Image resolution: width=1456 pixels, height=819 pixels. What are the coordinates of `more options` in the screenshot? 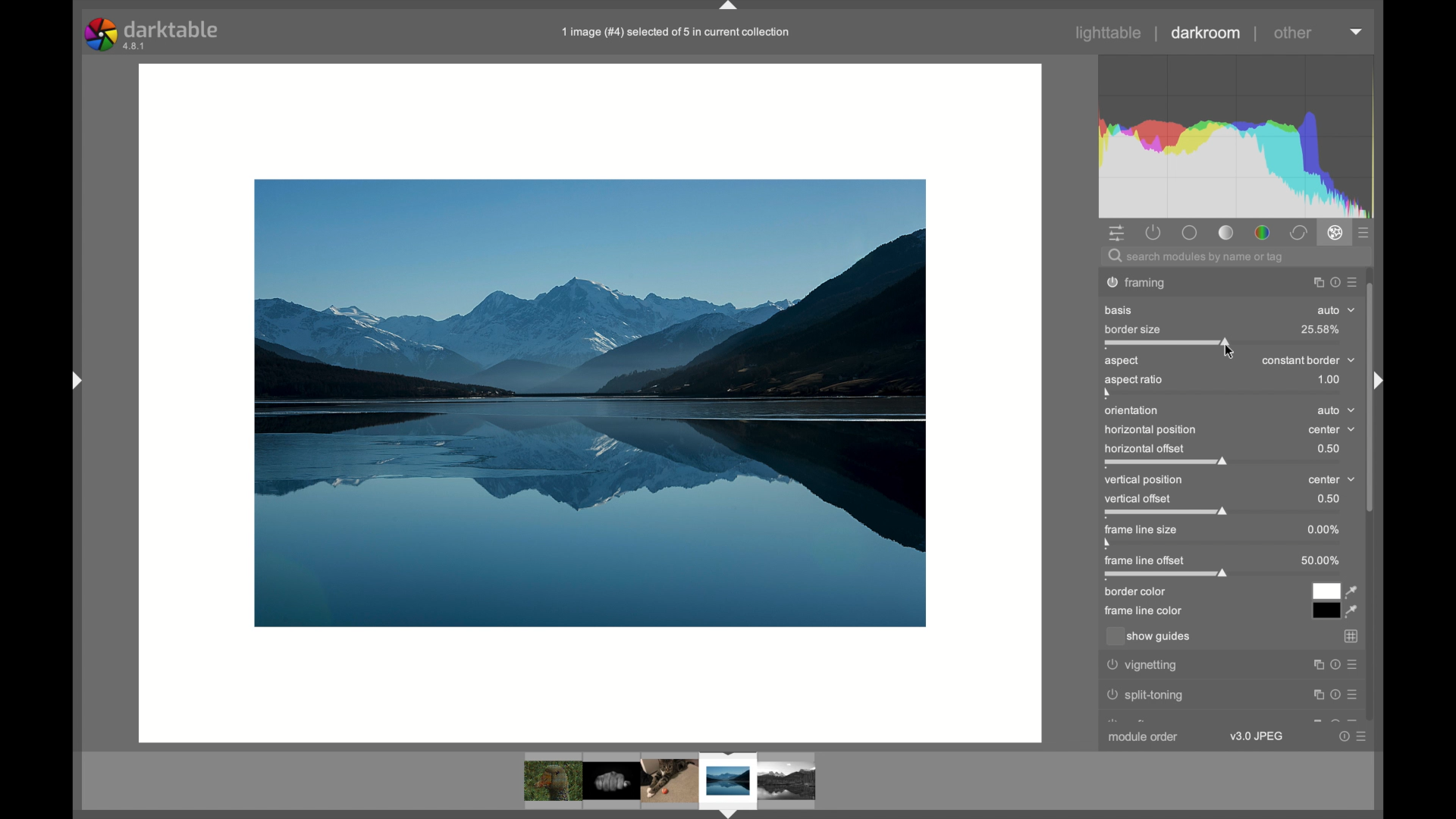 It's located at (1335, 281).